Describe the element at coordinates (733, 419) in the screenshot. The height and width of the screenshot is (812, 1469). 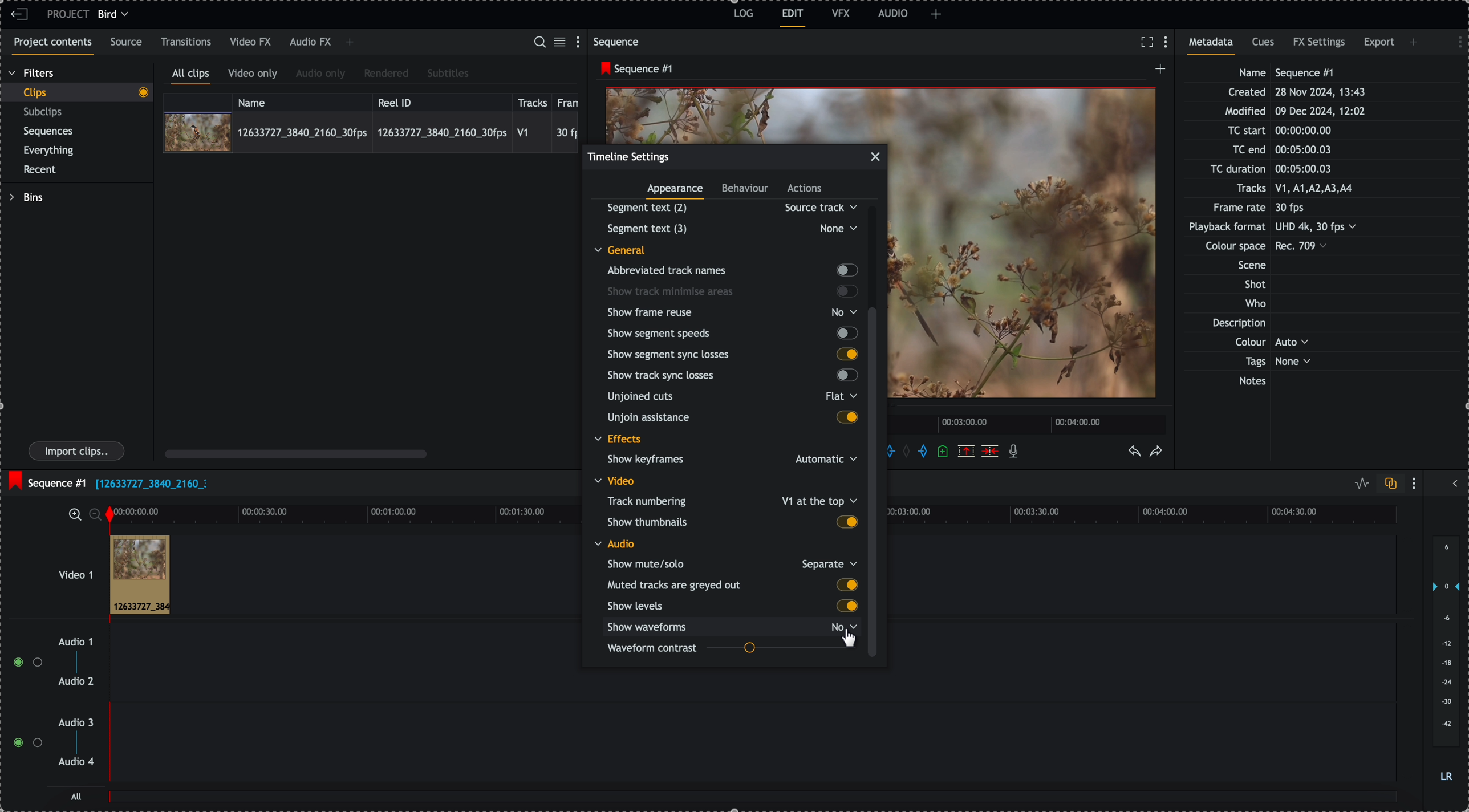
I see `unjoin assitance` at that location.